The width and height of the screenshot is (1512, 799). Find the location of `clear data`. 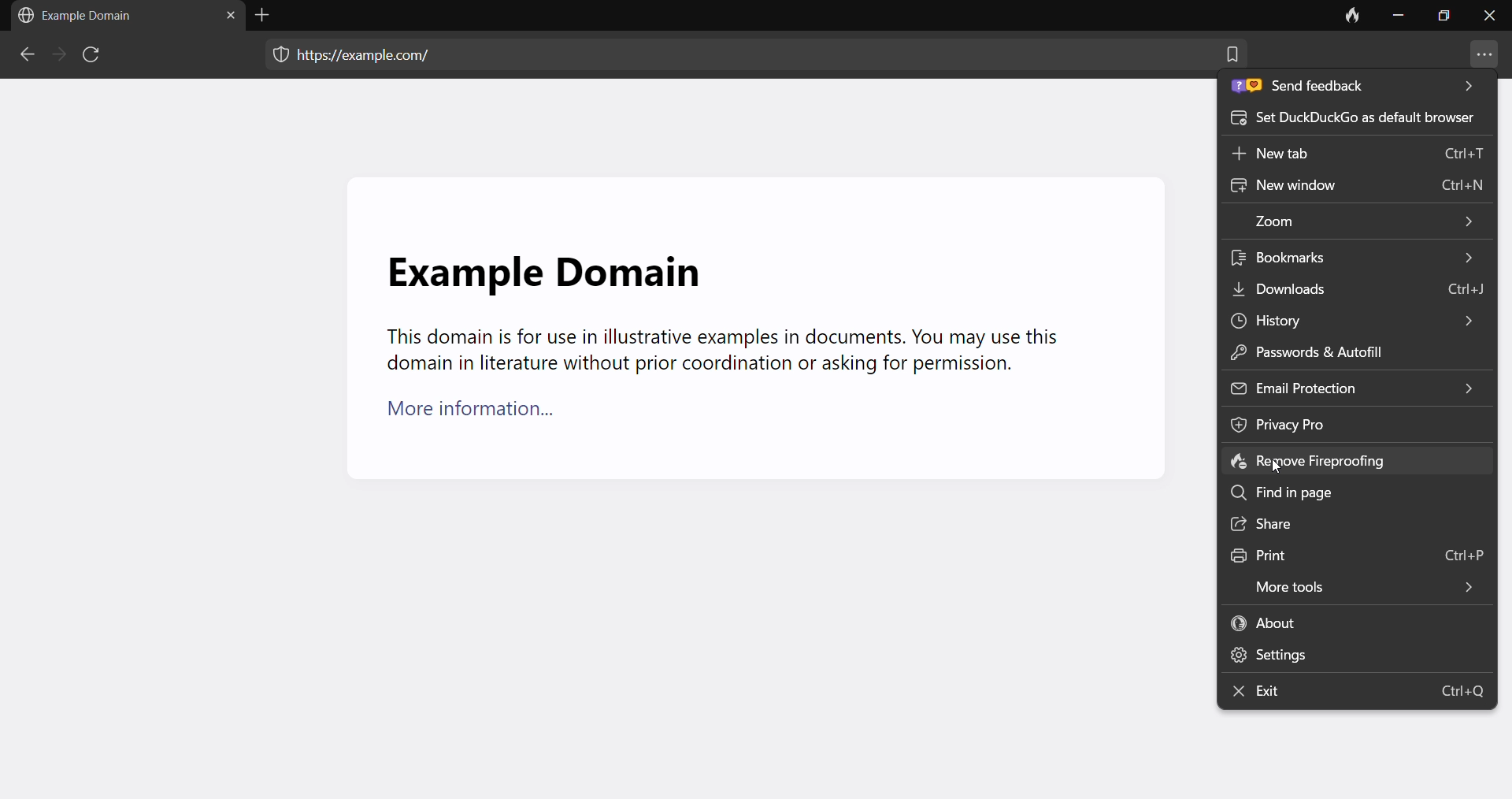

clear data is located at coordinates (1351, 18).